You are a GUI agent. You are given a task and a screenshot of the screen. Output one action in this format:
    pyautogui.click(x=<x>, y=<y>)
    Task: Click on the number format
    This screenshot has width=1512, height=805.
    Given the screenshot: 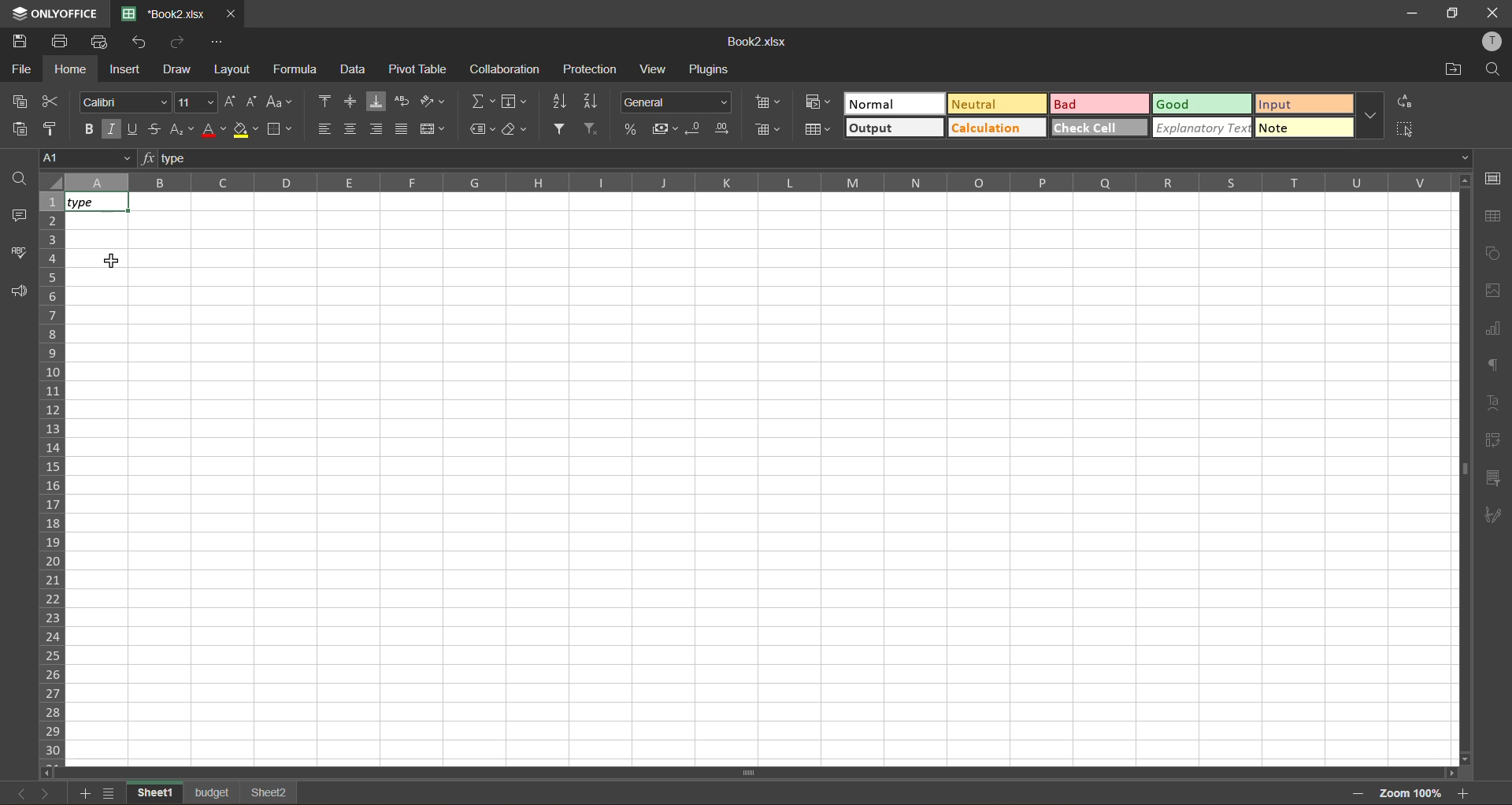 What is the action you would take?
    pyautogui.click(x=679, y=103)
    